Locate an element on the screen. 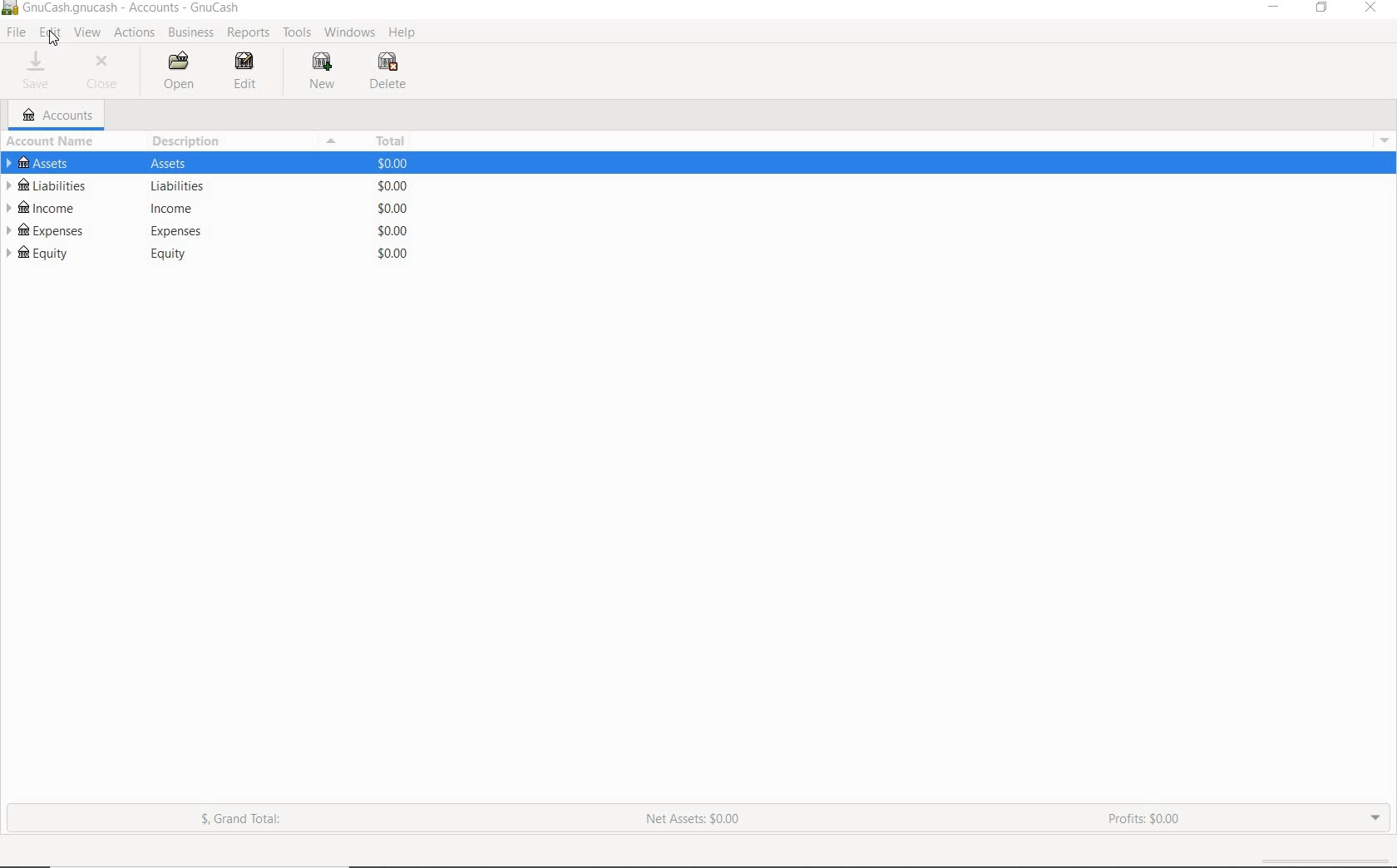 This screenshot has height=868, width=1397. Menu is located at coordinates (332, 141).